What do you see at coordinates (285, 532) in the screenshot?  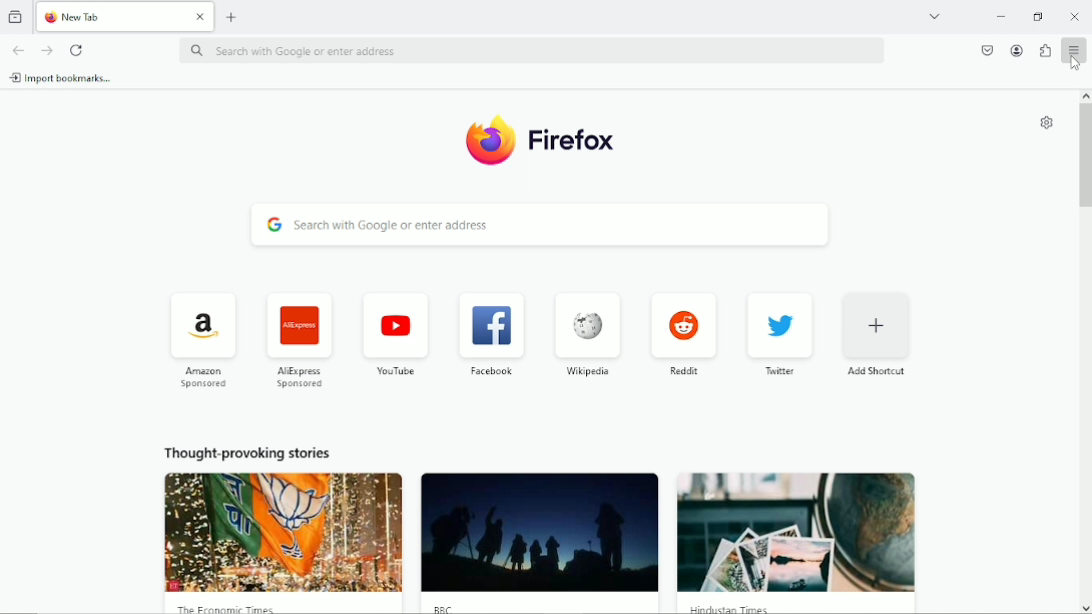 I see `image` at bounding box center [285, 532].